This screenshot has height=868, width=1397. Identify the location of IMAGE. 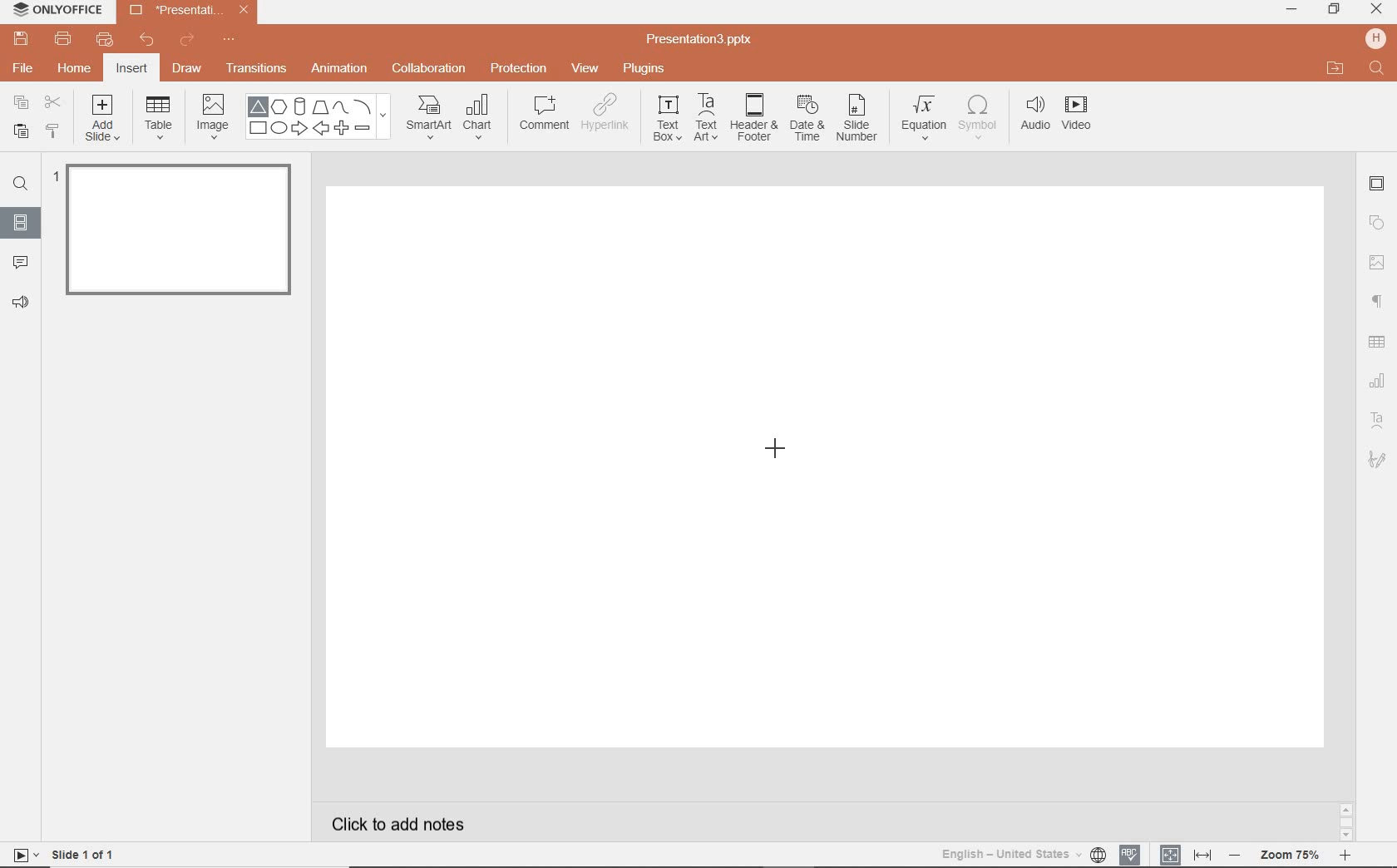
(212, 118).